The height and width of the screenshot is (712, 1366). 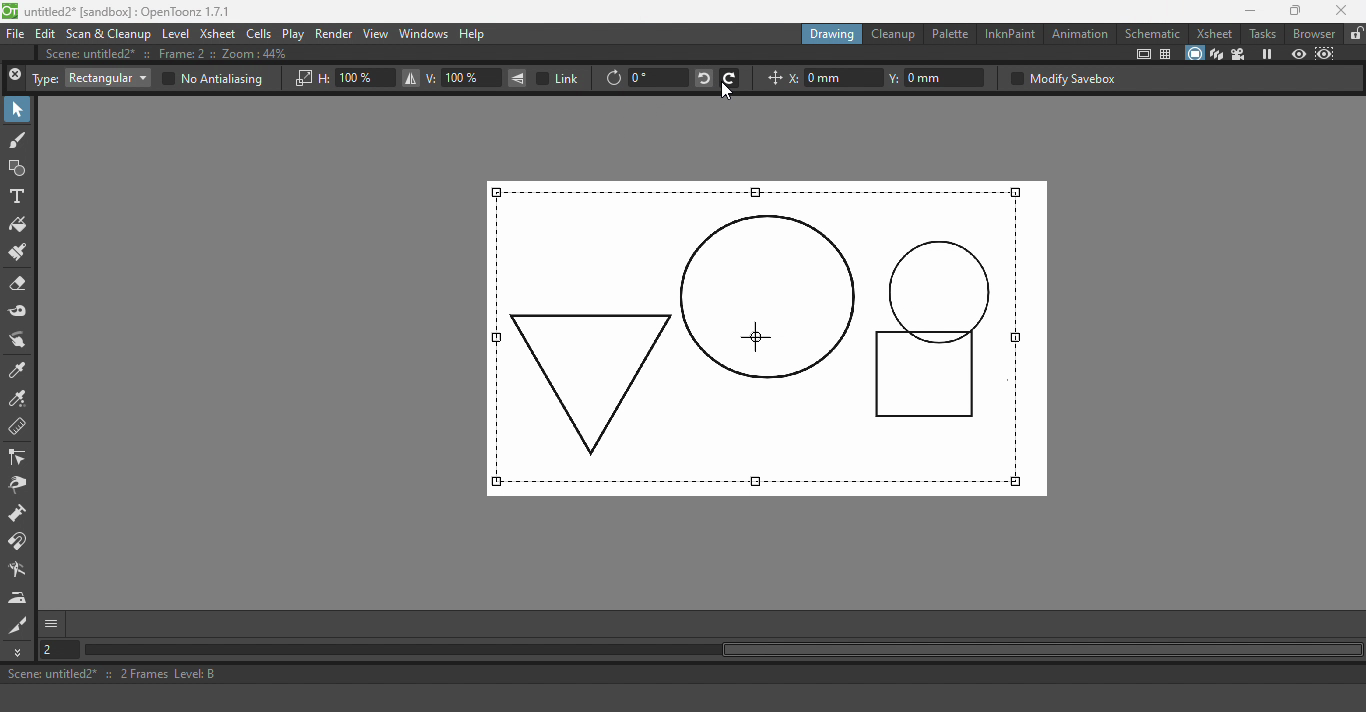 I want to click on Animation, so click(x=1081, y=33).